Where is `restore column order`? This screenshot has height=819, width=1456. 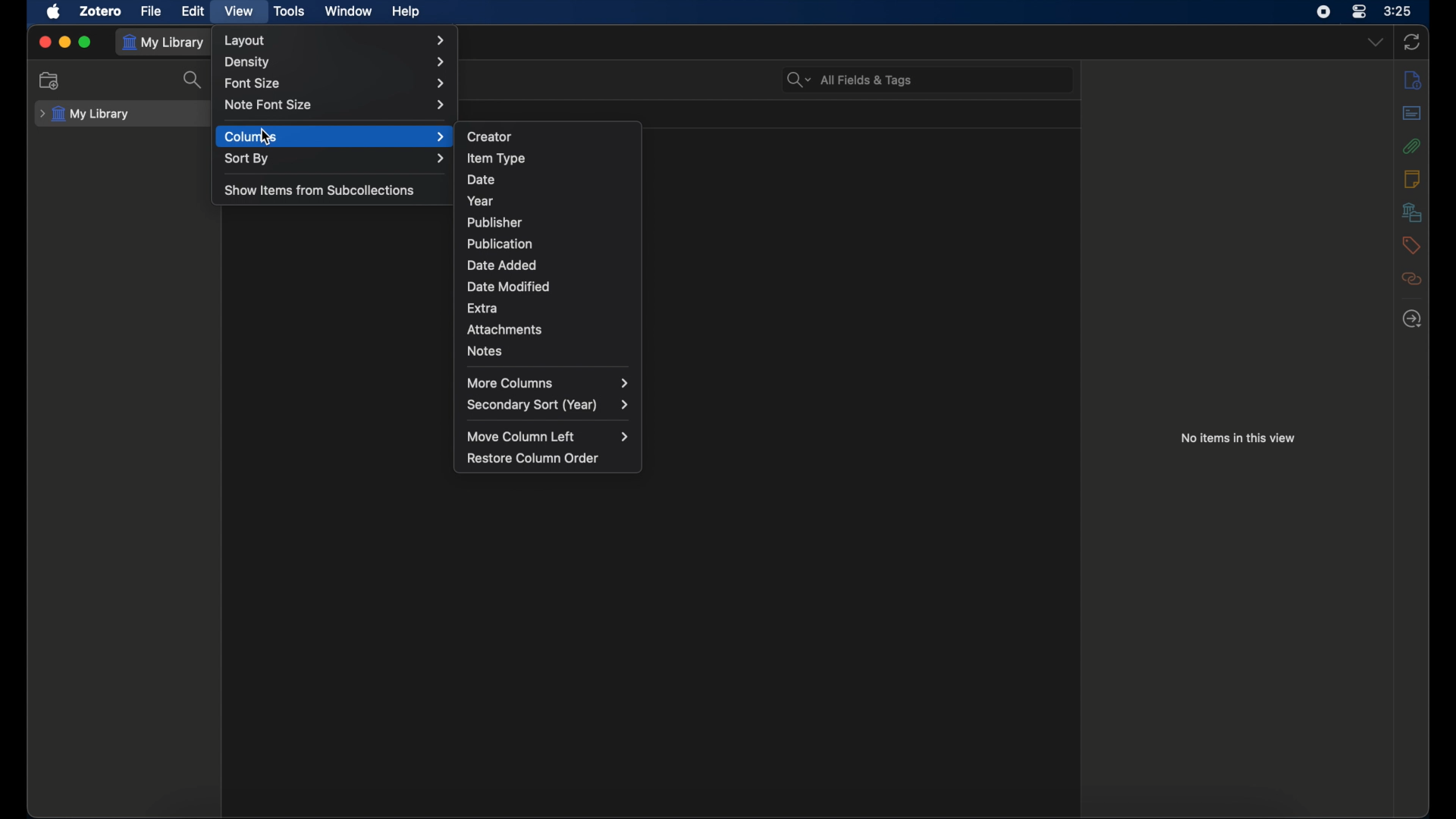
restore column order is located at coordinates (533, 459).